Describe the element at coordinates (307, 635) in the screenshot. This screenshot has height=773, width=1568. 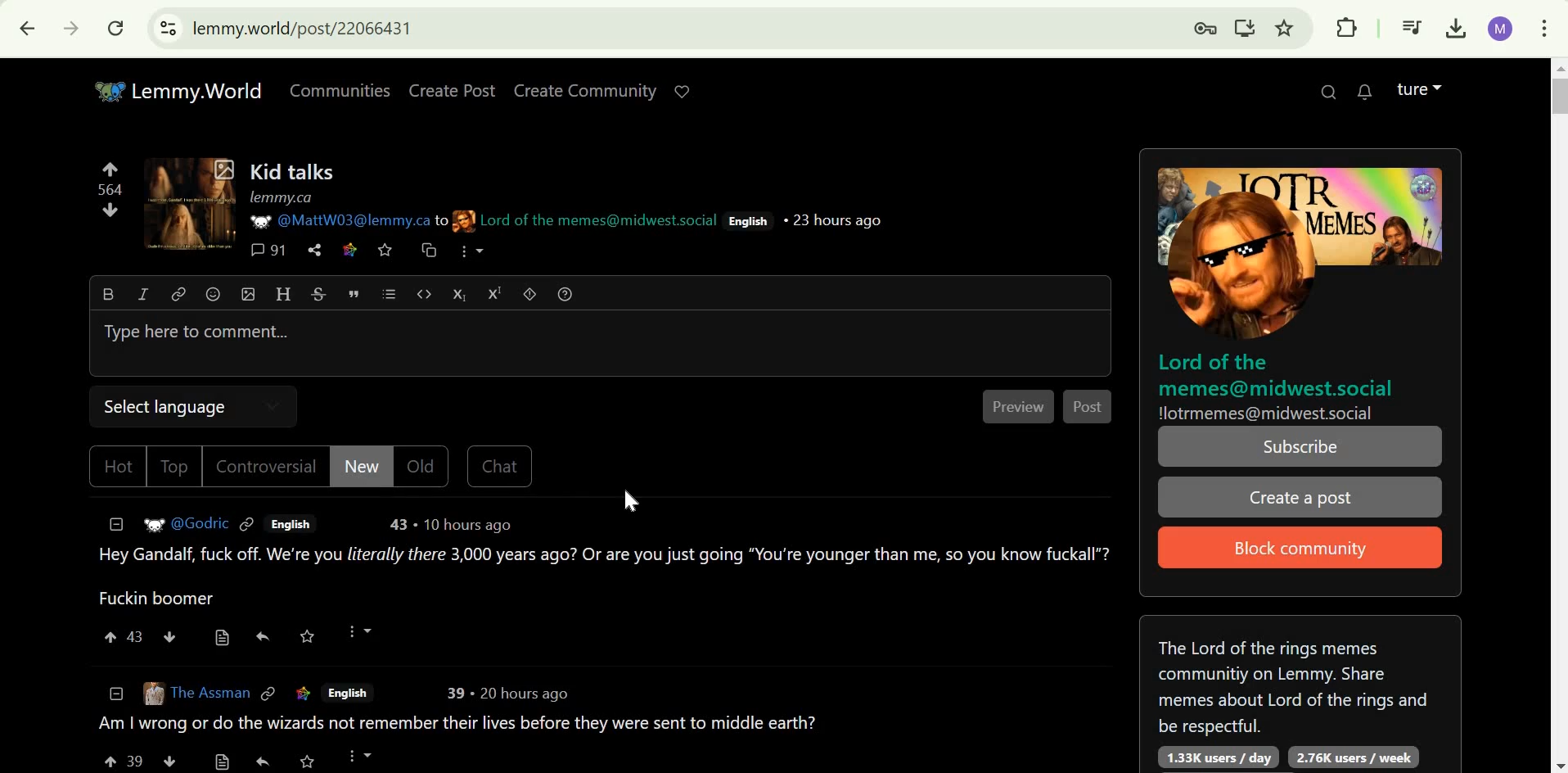
I see `save` at that location.